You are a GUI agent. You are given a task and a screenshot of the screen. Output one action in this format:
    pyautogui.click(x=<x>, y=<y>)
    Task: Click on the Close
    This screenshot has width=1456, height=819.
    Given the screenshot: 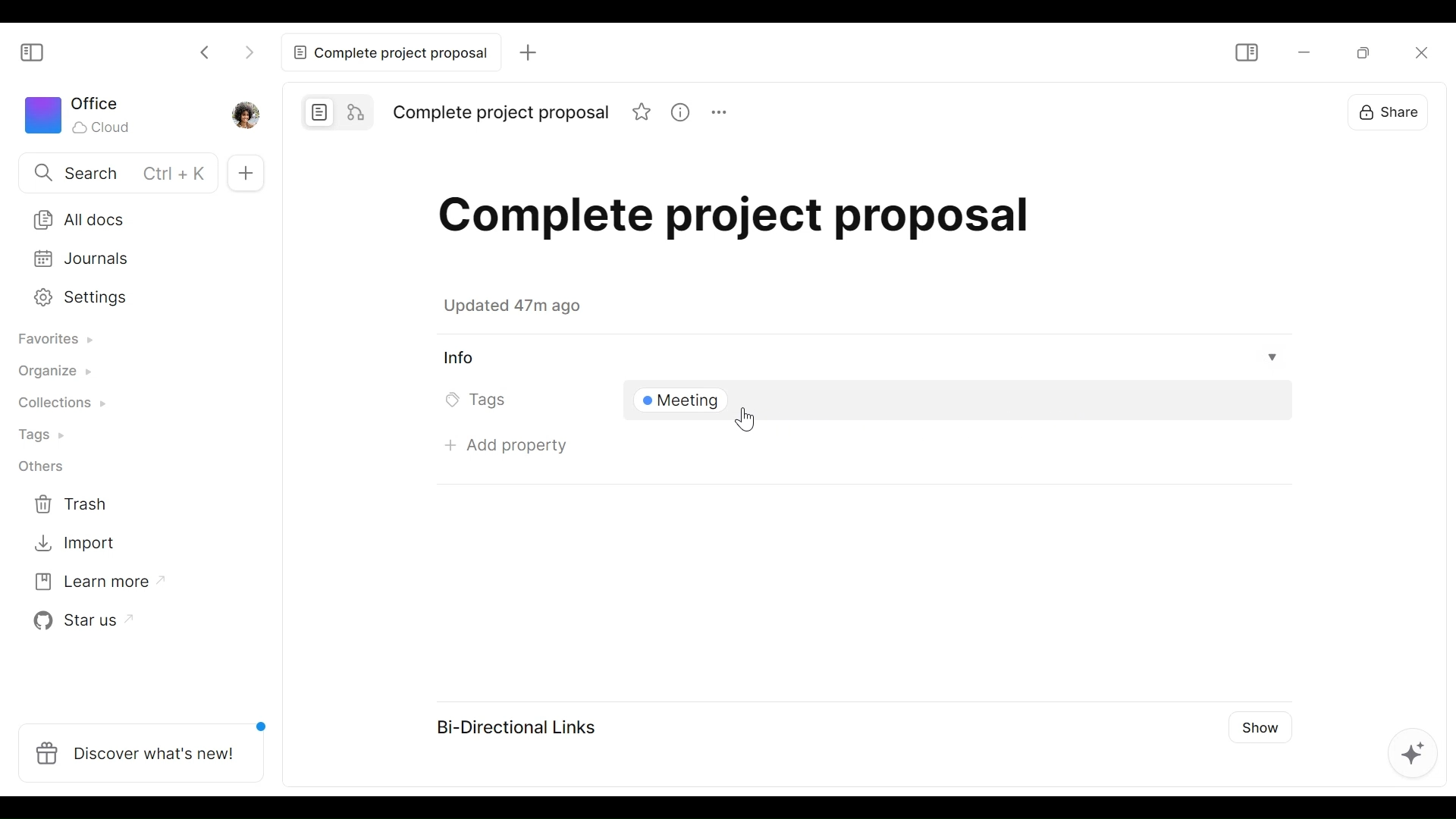 What is the action you would take?
    pyautogui.click(x=1418, y=52)
    